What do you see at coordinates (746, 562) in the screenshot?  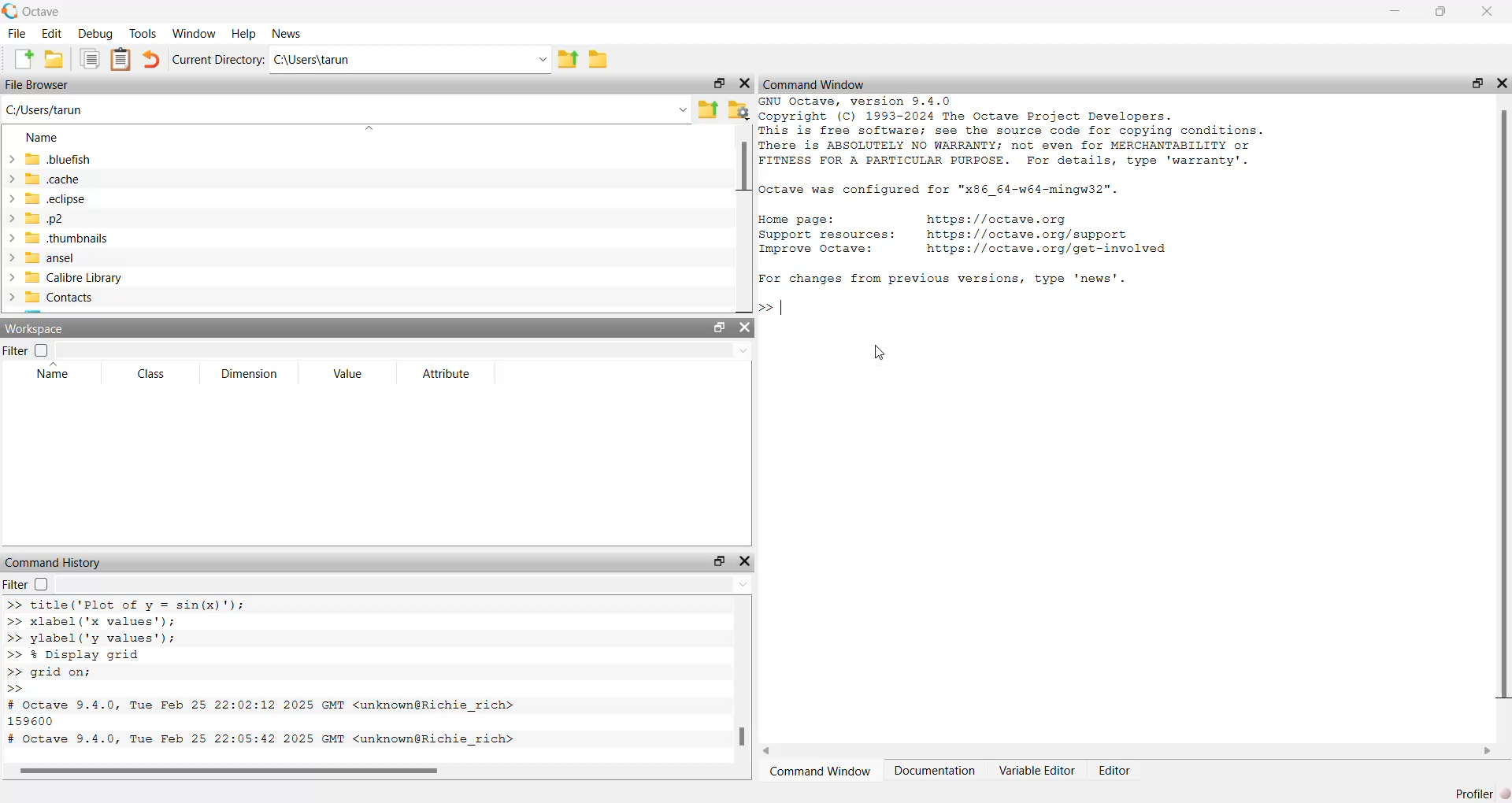 I see `close` at bounding box center [746, 562].